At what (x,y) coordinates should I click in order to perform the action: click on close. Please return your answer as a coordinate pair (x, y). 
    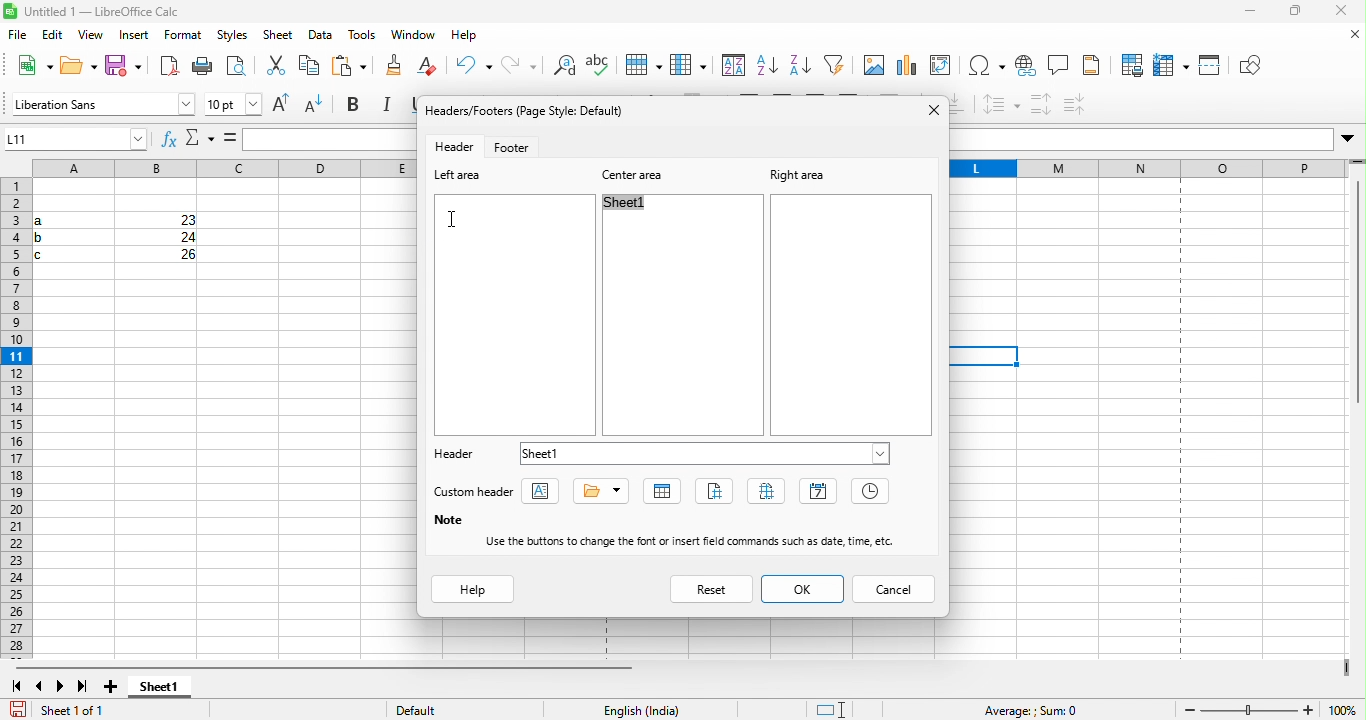
    Looking at the image, I should click on (1348, 35).